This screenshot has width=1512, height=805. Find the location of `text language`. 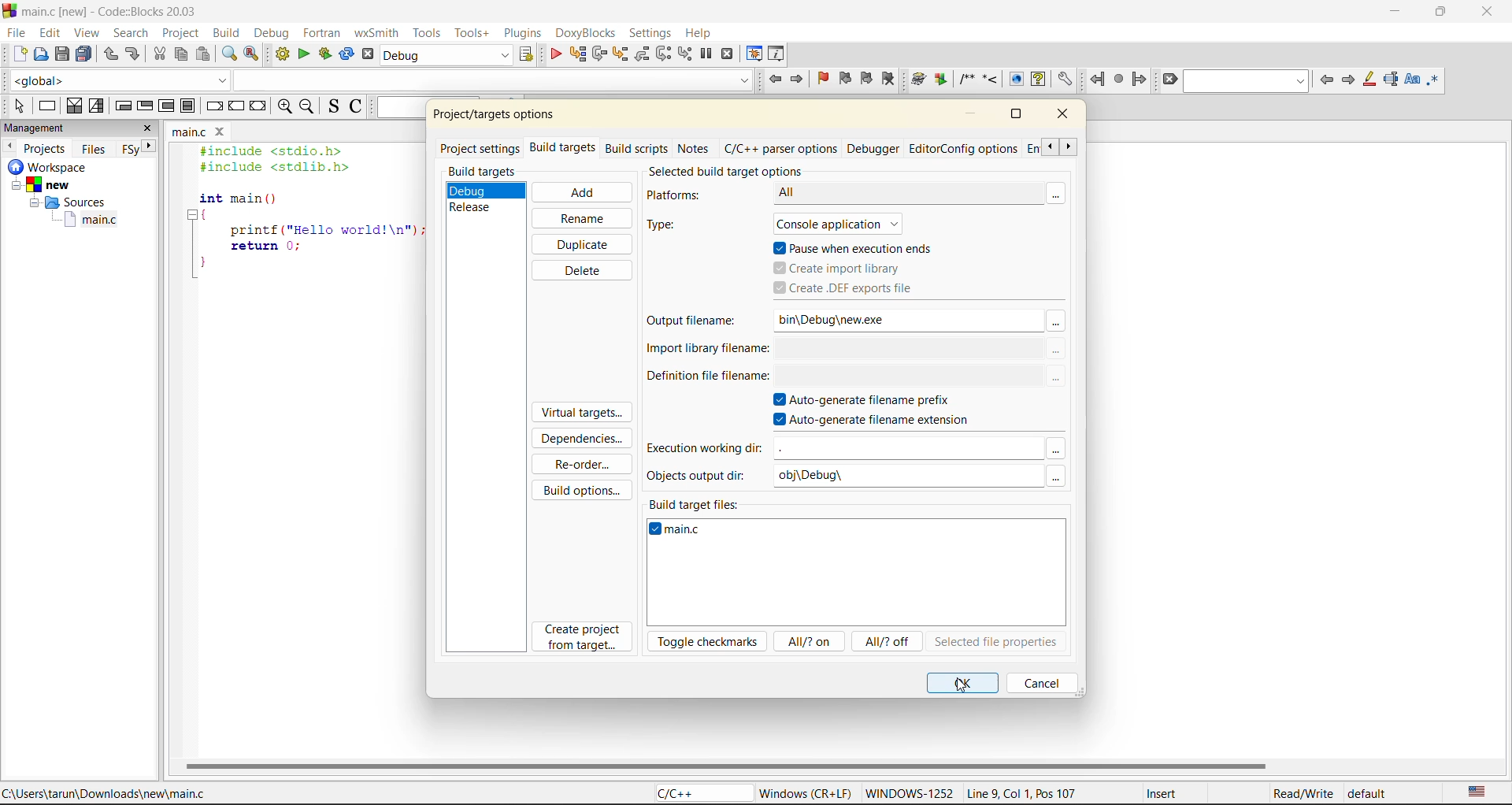

text language is located at coordinates (1480, 792).